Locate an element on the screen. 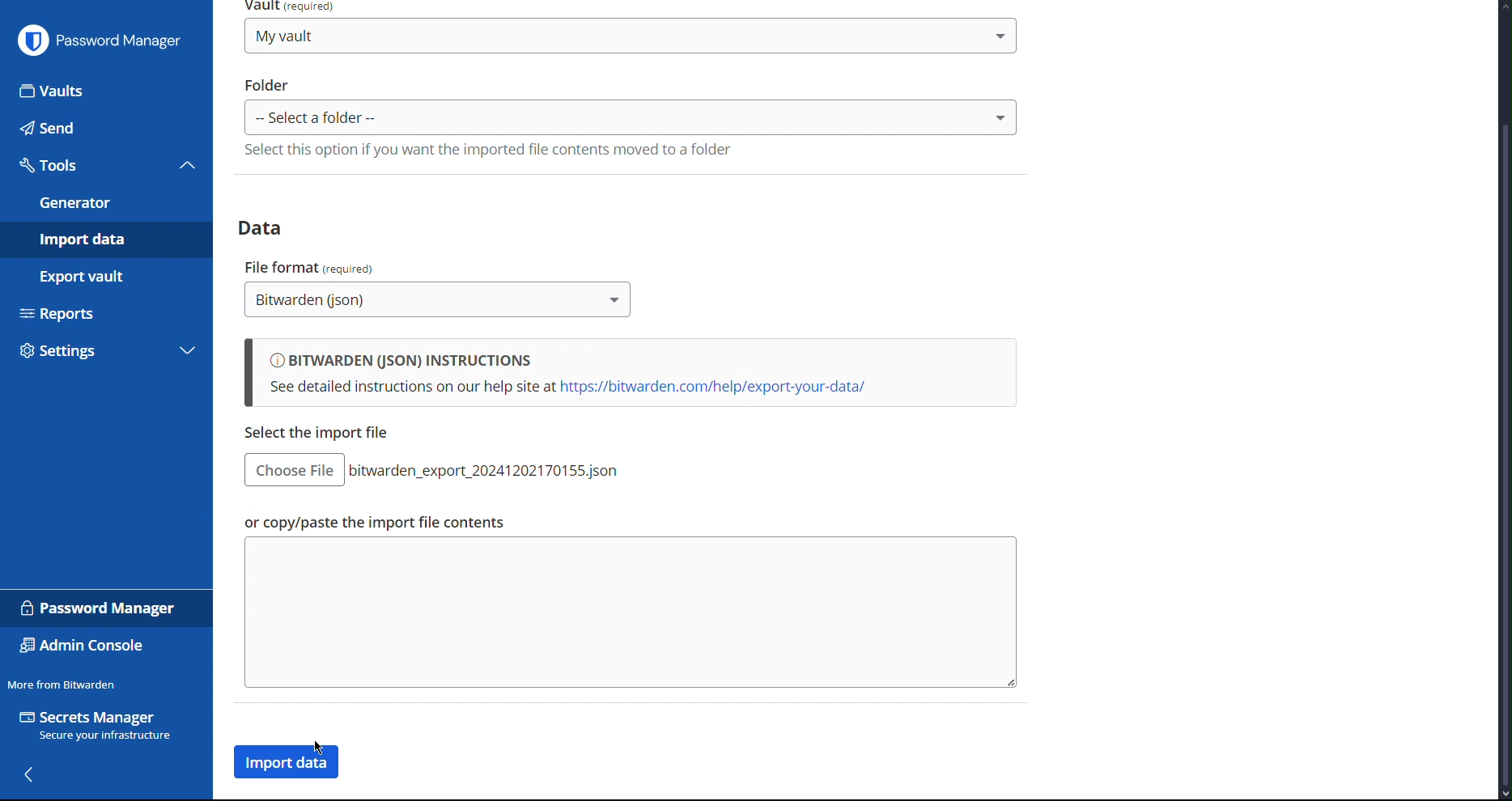 This screenshot has height=801, width=1512. Tools is located at coordinates (86, 165).